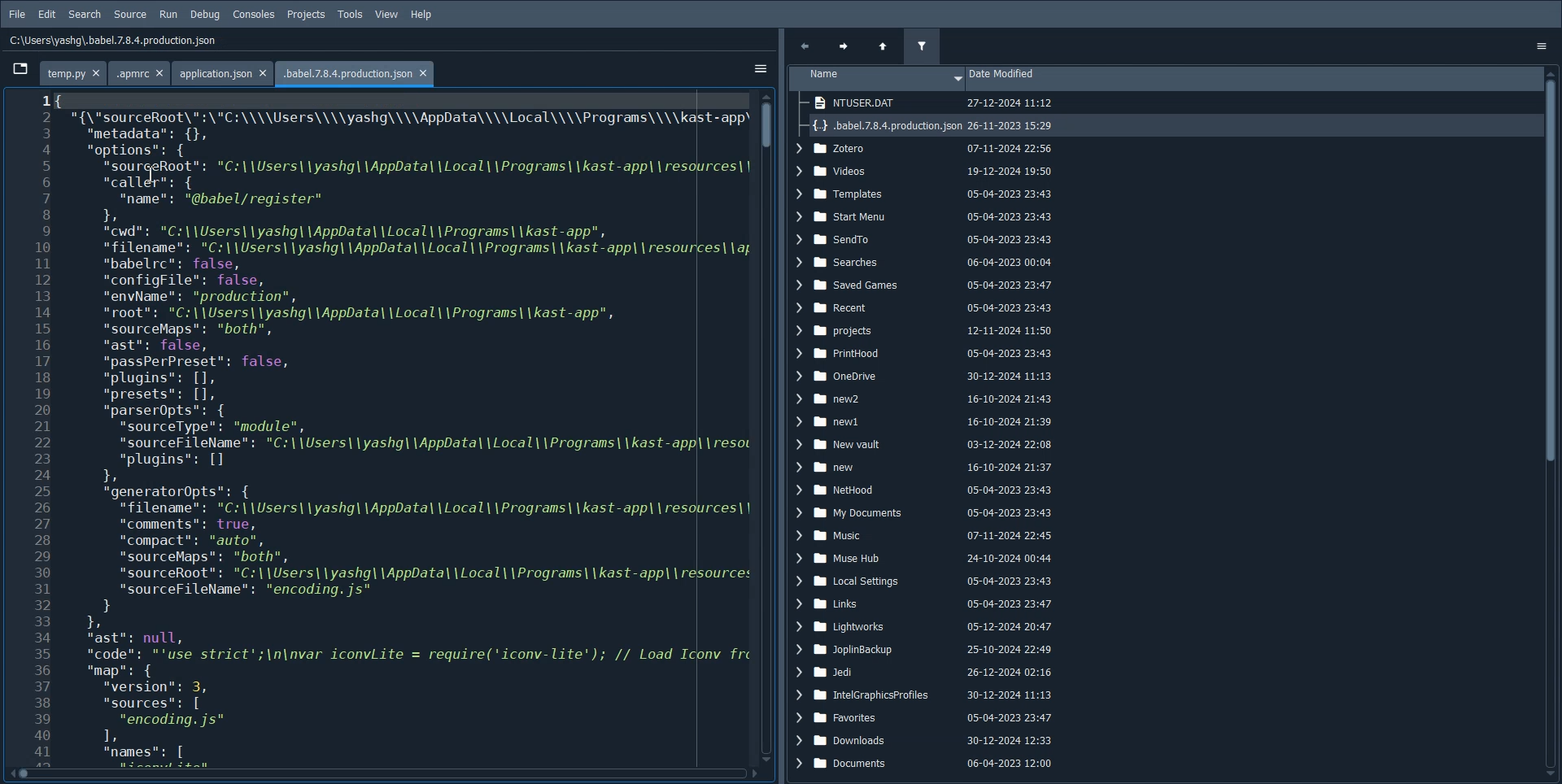 The width and height of the screenshot is (1562, 784). I want to click on Horizontal scroll bar, so click(382, 776).